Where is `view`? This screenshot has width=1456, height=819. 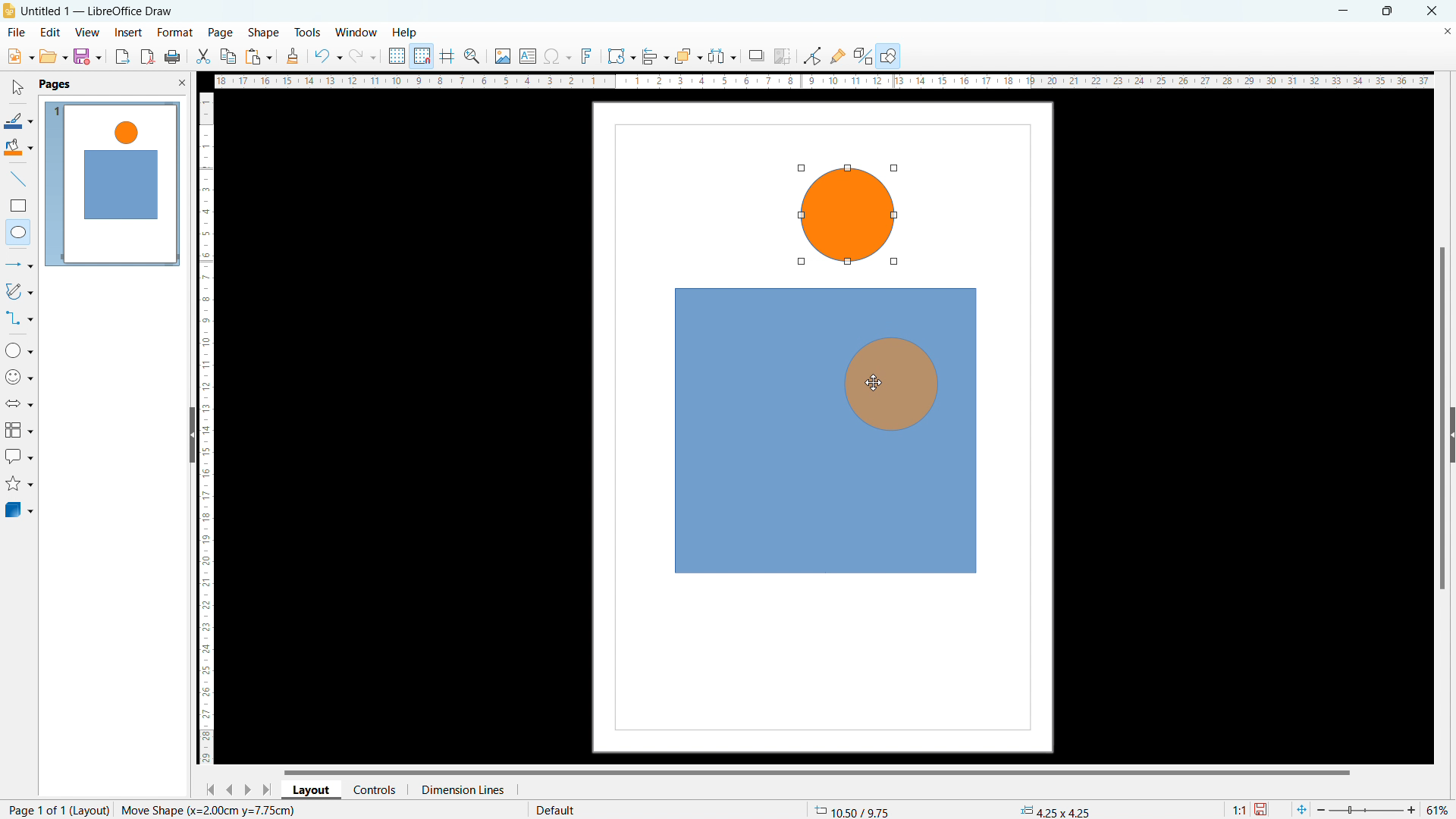
view is located at coordinates (87, 33).